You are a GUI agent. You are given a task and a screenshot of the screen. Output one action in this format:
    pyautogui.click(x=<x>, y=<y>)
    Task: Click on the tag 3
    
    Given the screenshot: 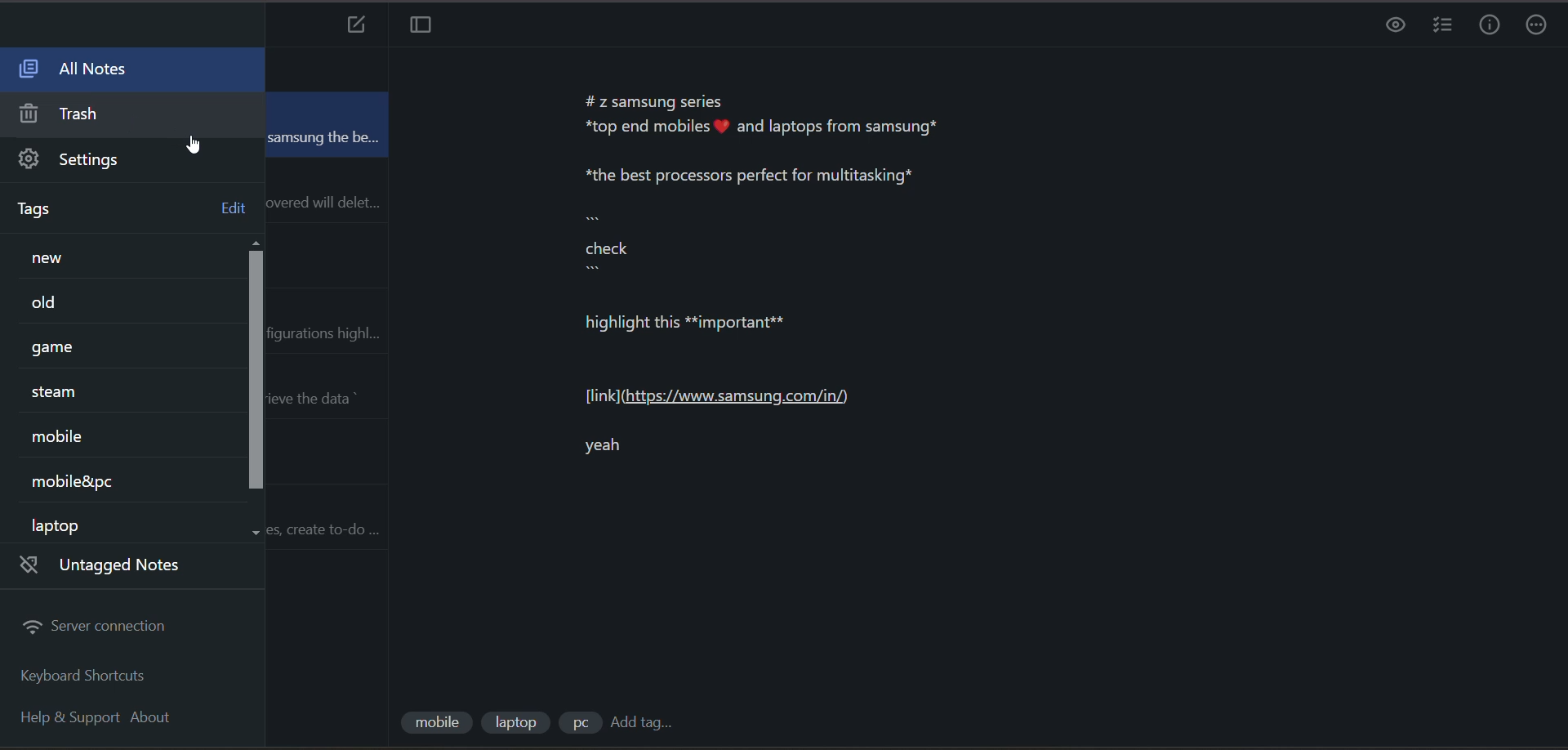 What is the action you would take?
    pyautogui.click(x=58, y=346)
    